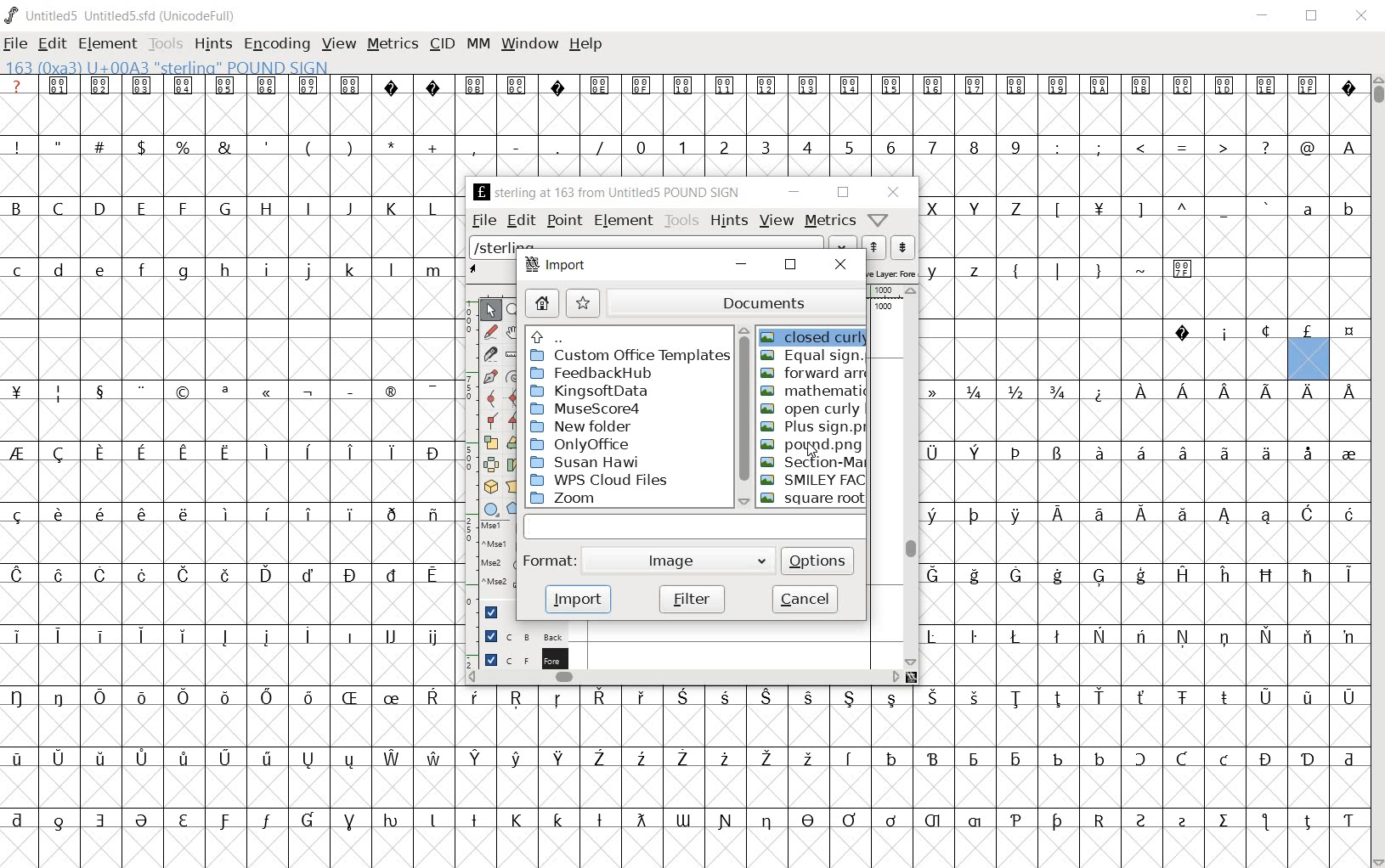  I want to click on corner, so click(495, 424).